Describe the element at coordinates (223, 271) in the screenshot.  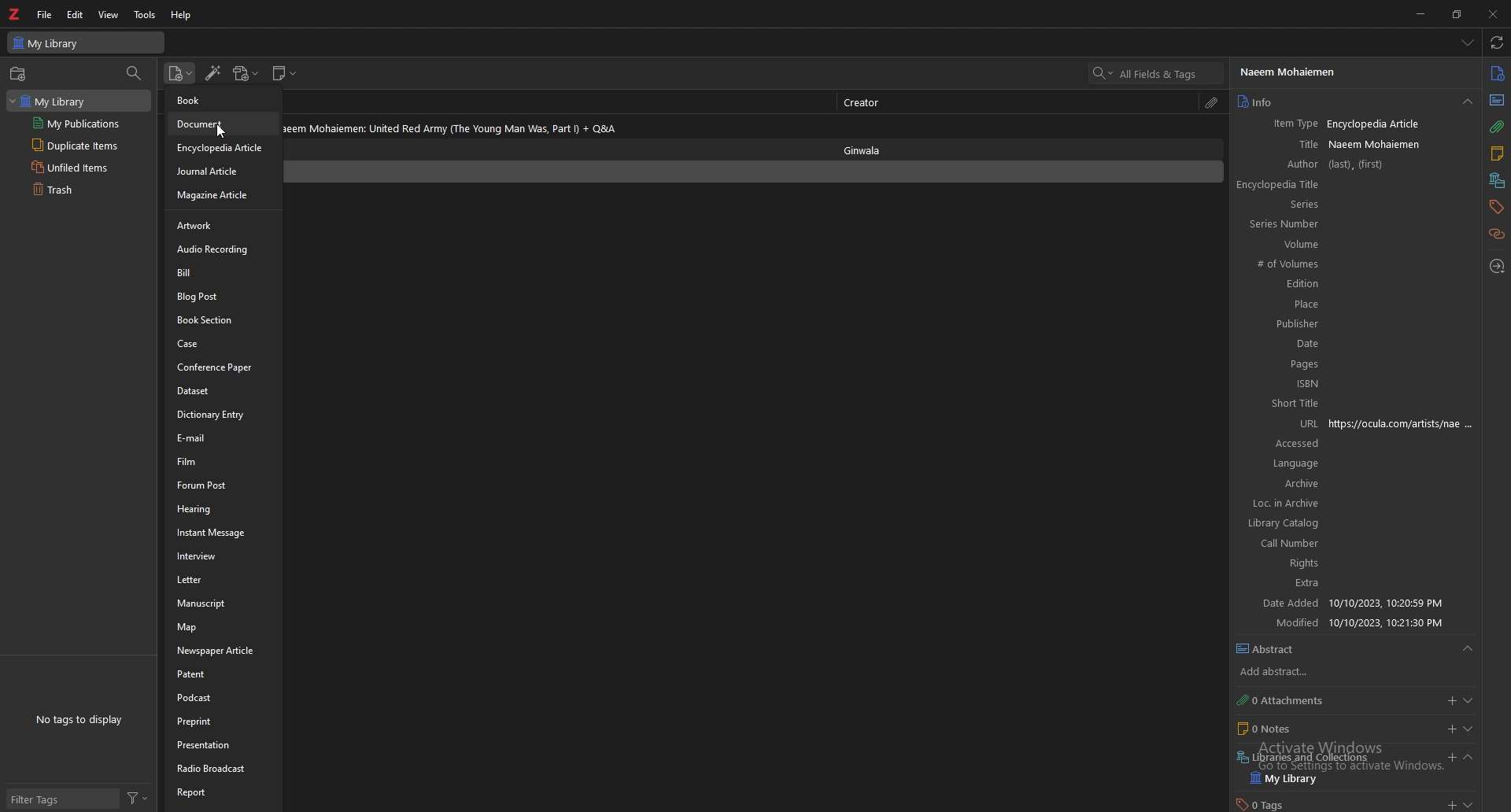
I see `bill` at that location.